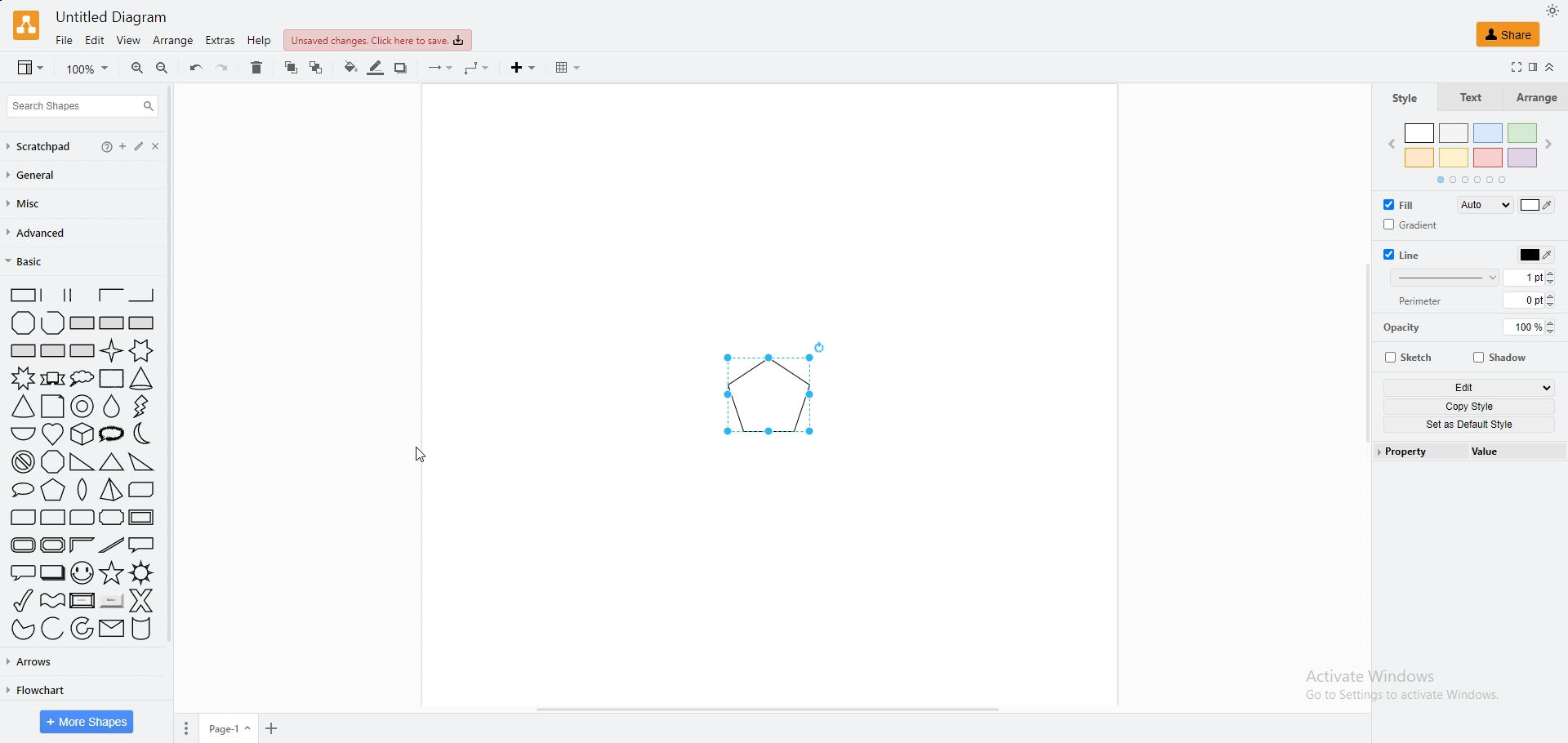  What do you see at coordinates (1469, 407) in the screenshot?
I see `copy style` at bounding box center [1469, 407].